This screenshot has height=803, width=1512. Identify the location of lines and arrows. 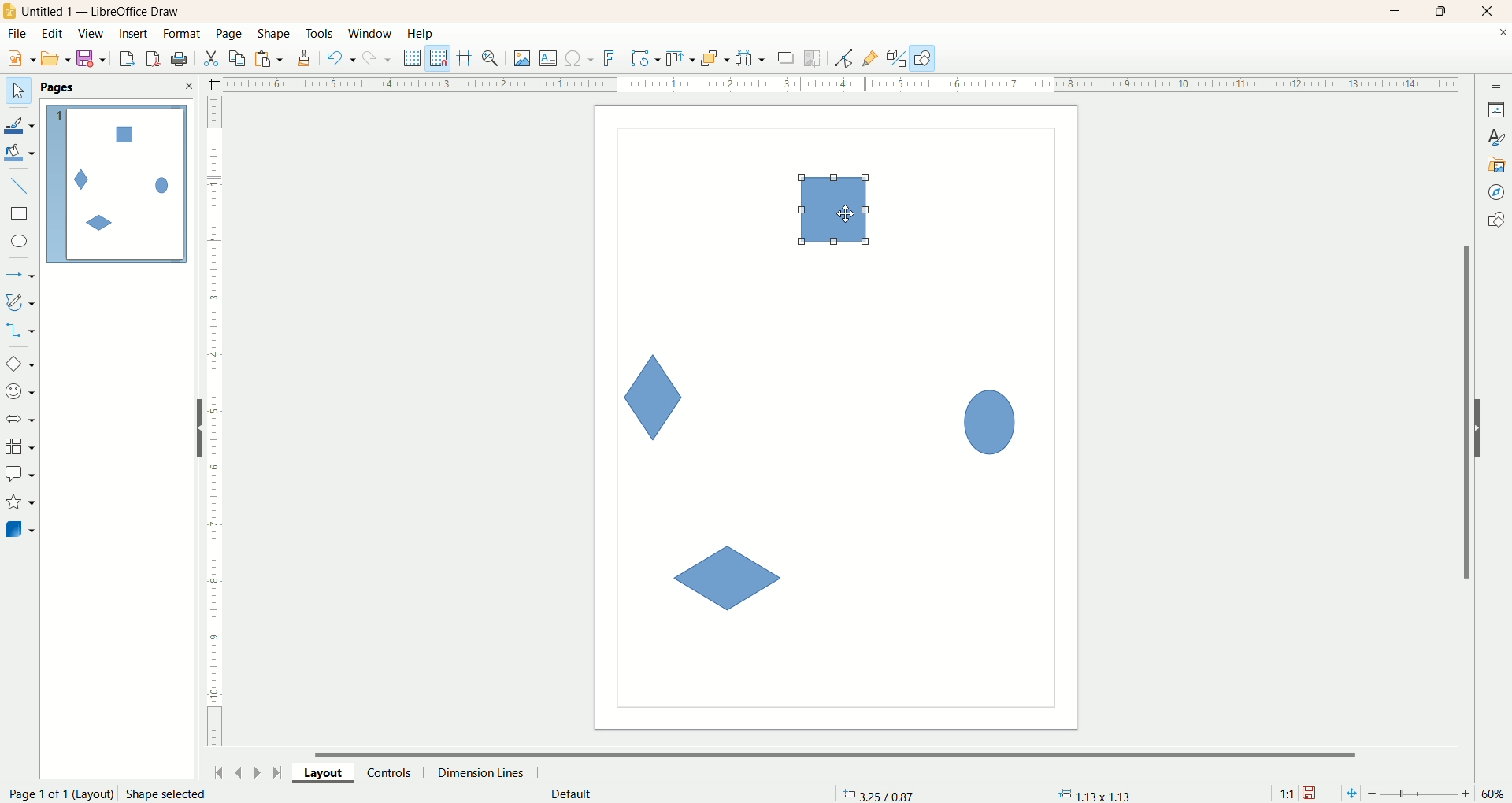
(21, 276).